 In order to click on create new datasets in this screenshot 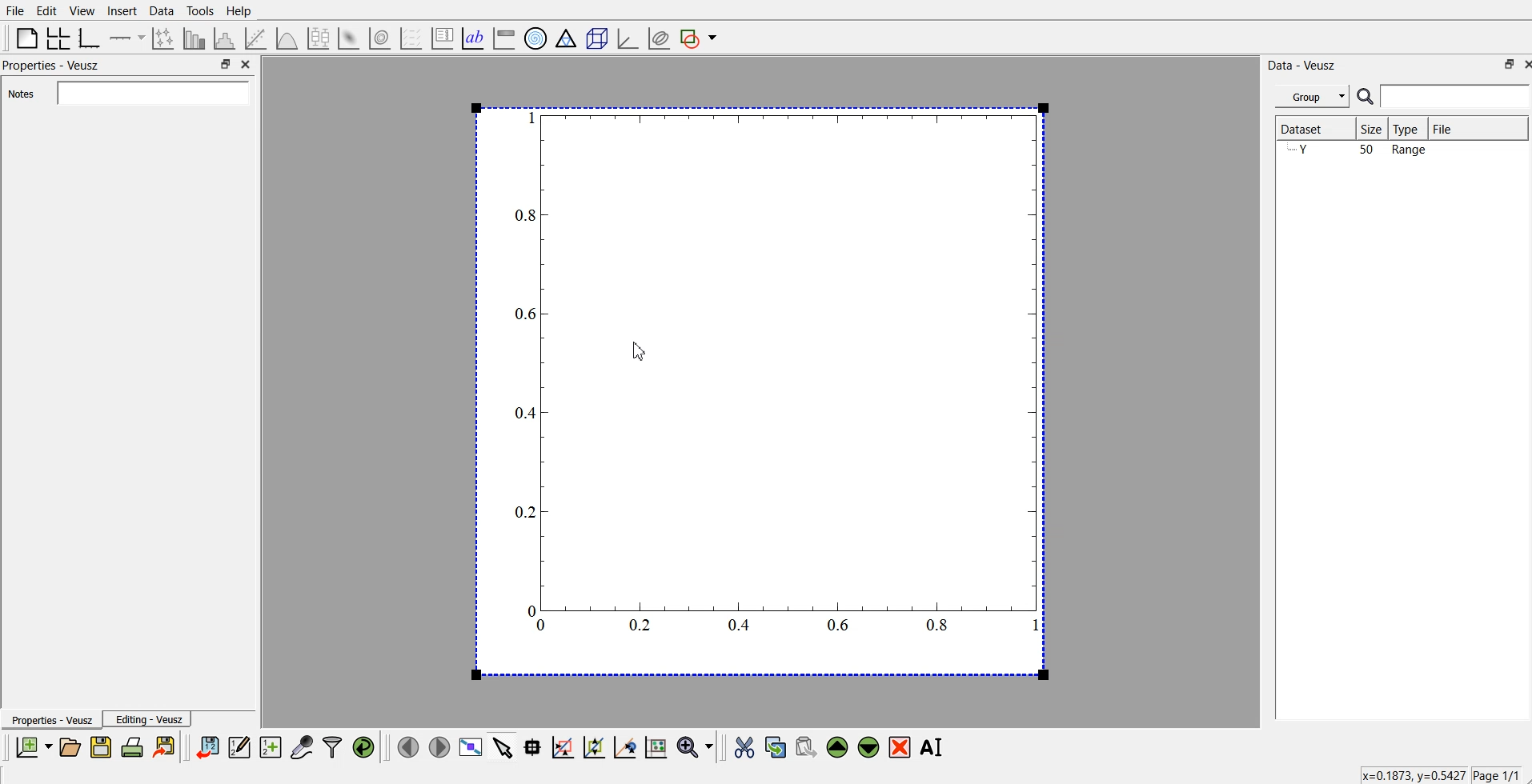, I will do `click(271, 748)`.